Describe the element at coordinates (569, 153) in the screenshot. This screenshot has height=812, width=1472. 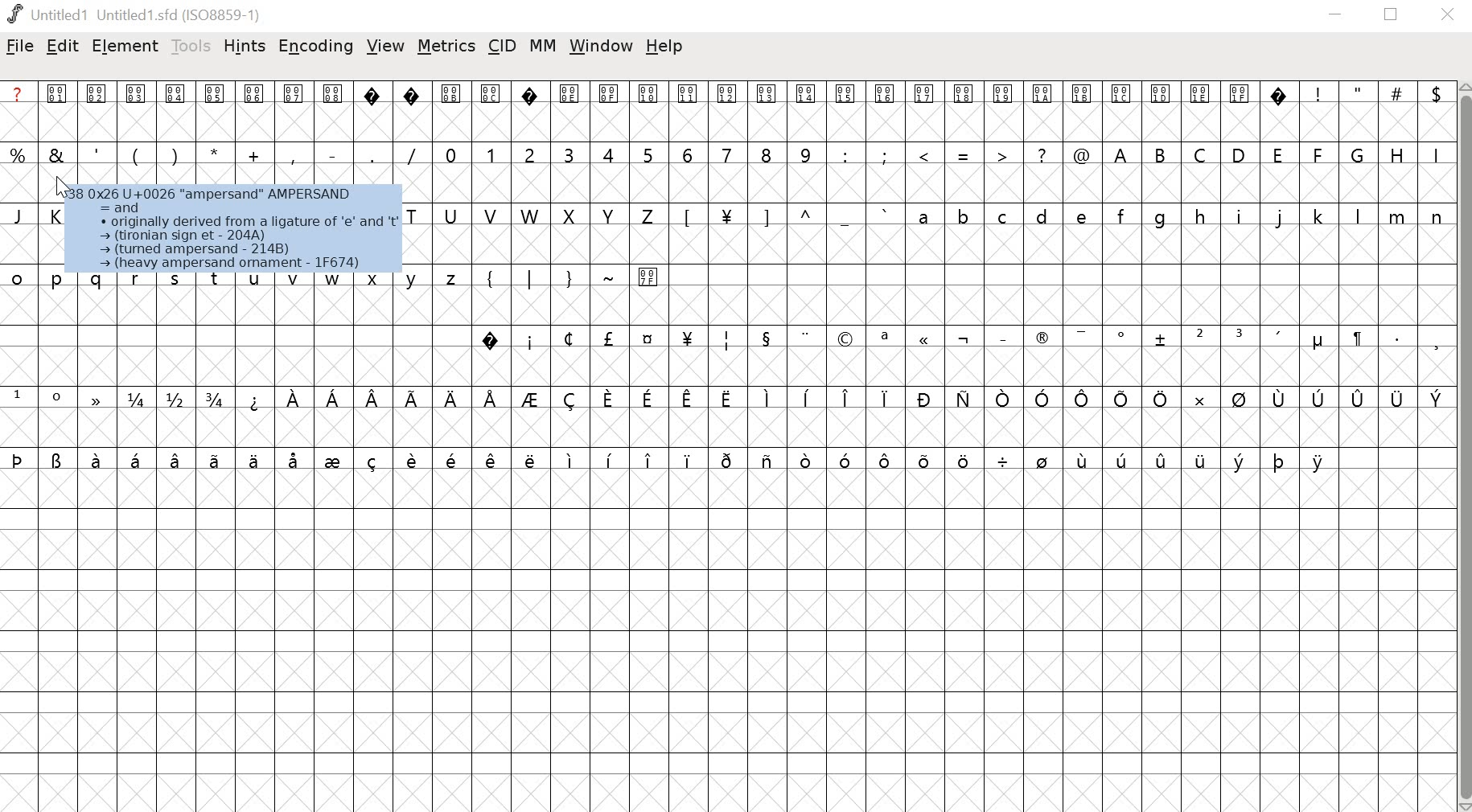
I see `3` at that location.